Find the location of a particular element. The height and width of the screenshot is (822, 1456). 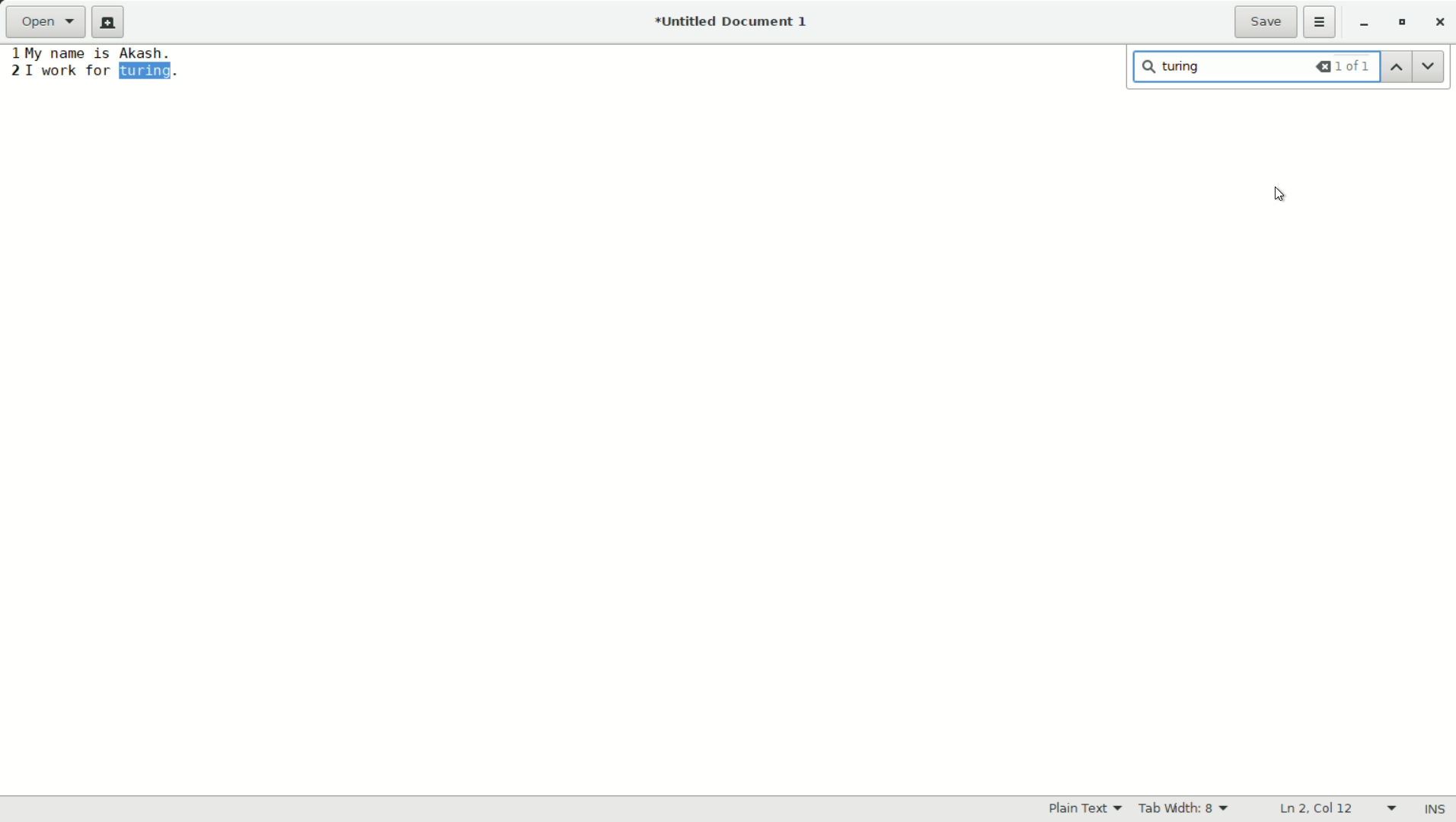

found word "turing" is located at coordinates (142, 70).